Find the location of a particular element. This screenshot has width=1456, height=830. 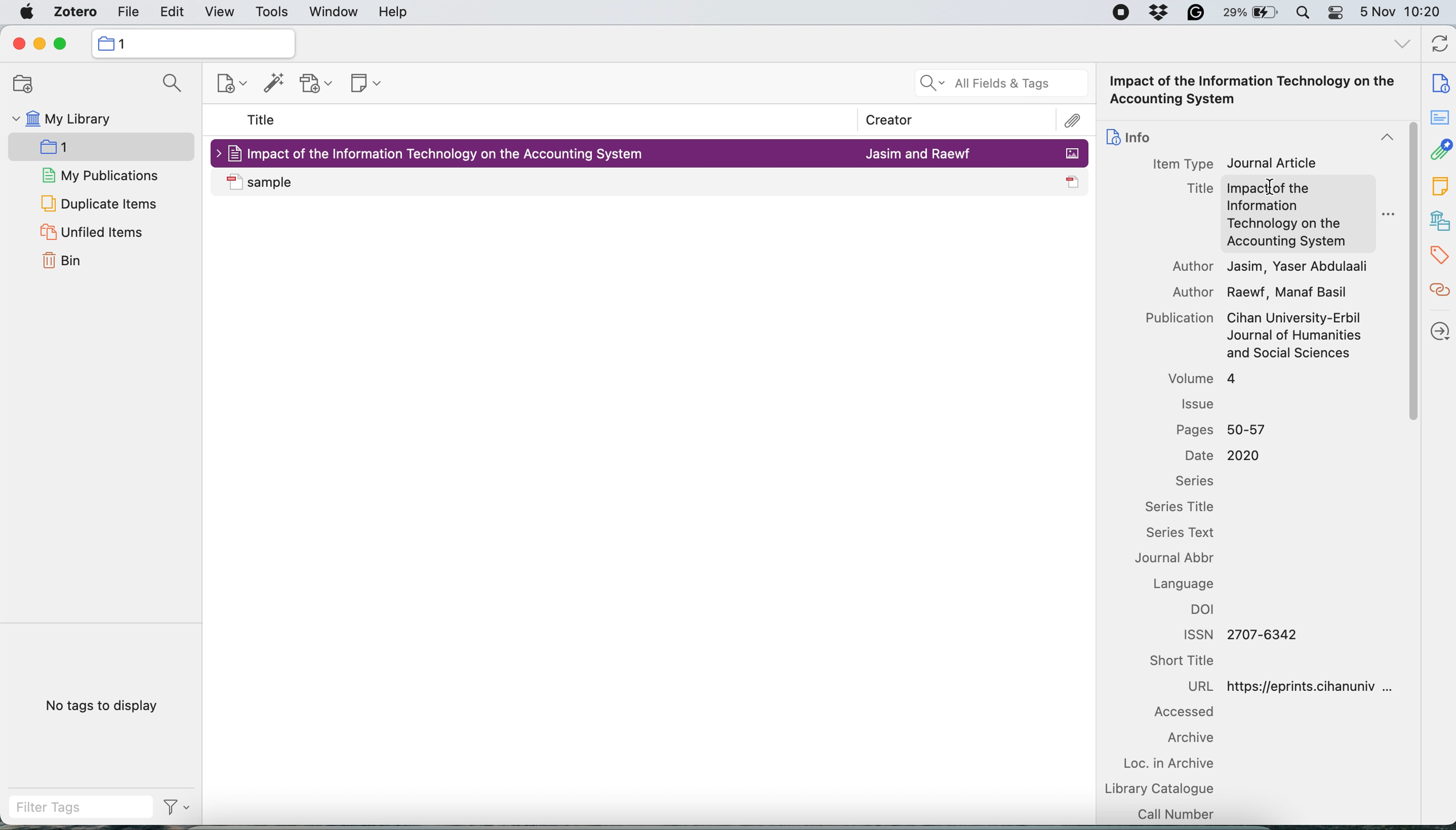

filter tags is located at coordinates (175, 807).